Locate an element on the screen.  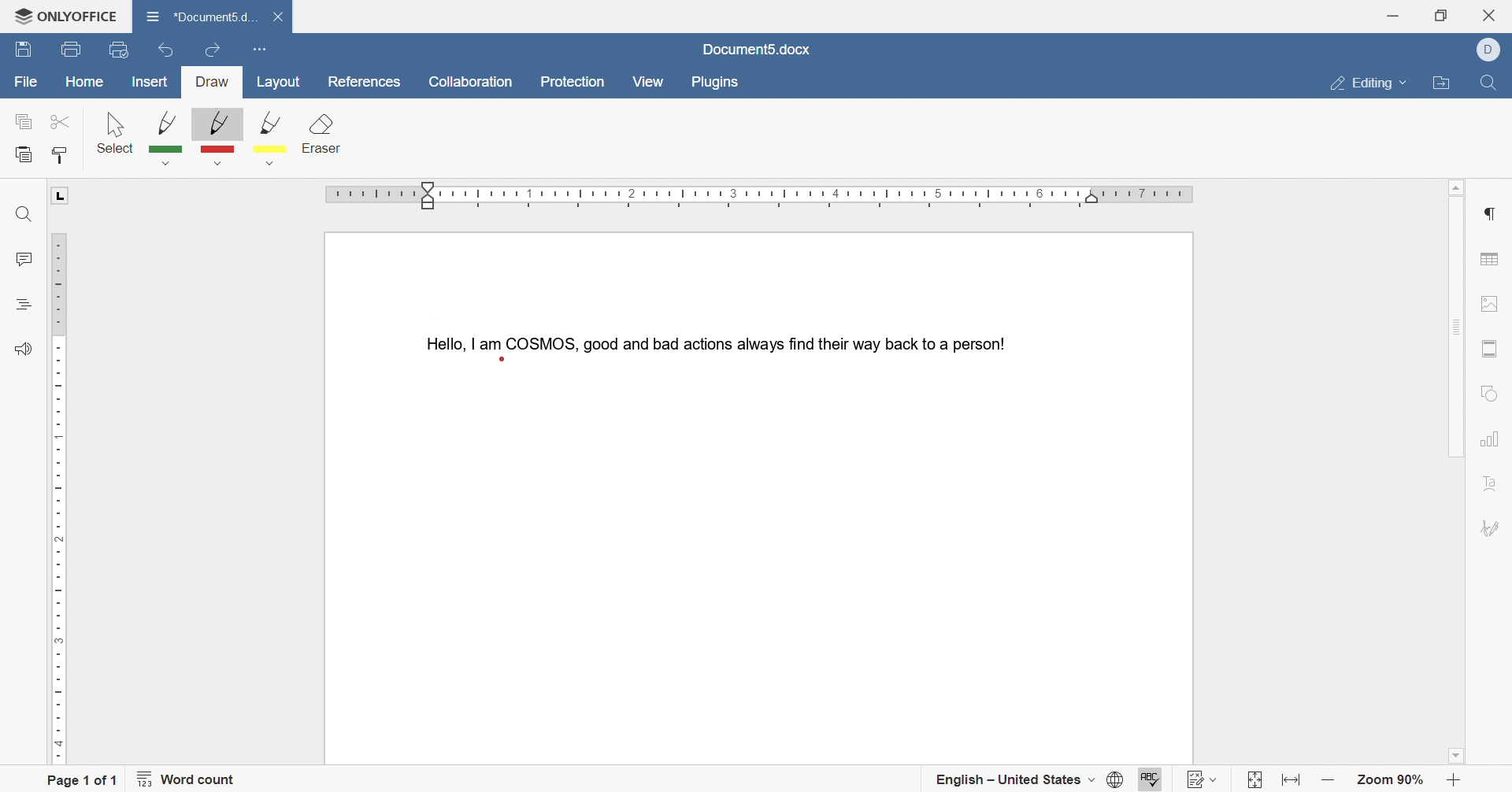
plugins is located at coordinates (716, 83).